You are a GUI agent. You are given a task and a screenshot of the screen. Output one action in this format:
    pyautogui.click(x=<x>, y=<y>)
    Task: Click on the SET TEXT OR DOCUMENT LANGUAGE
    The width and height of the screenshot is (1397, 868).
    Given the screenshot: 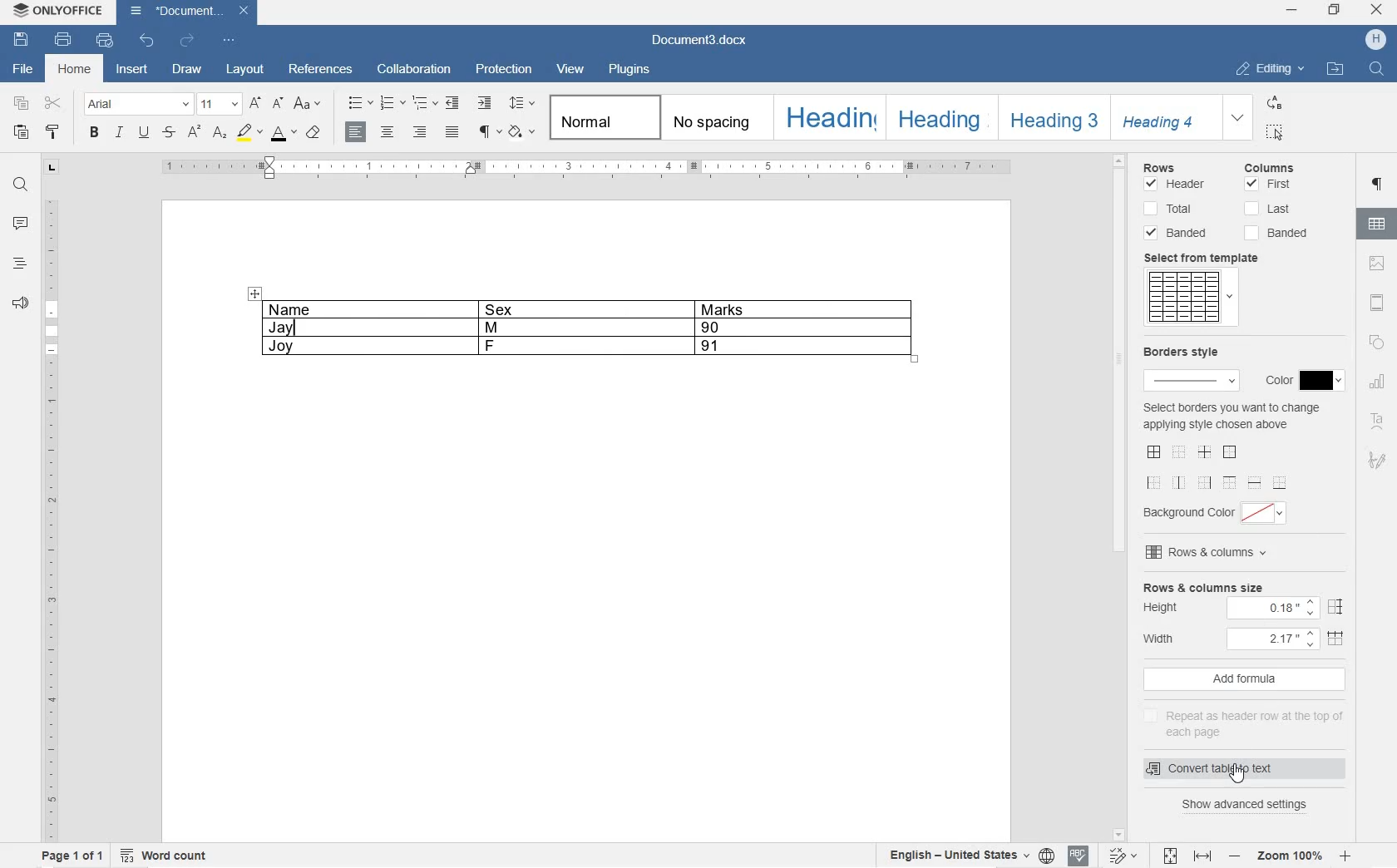 What is the action you would take?
    pyautogui.click(x=969, y=856)
    